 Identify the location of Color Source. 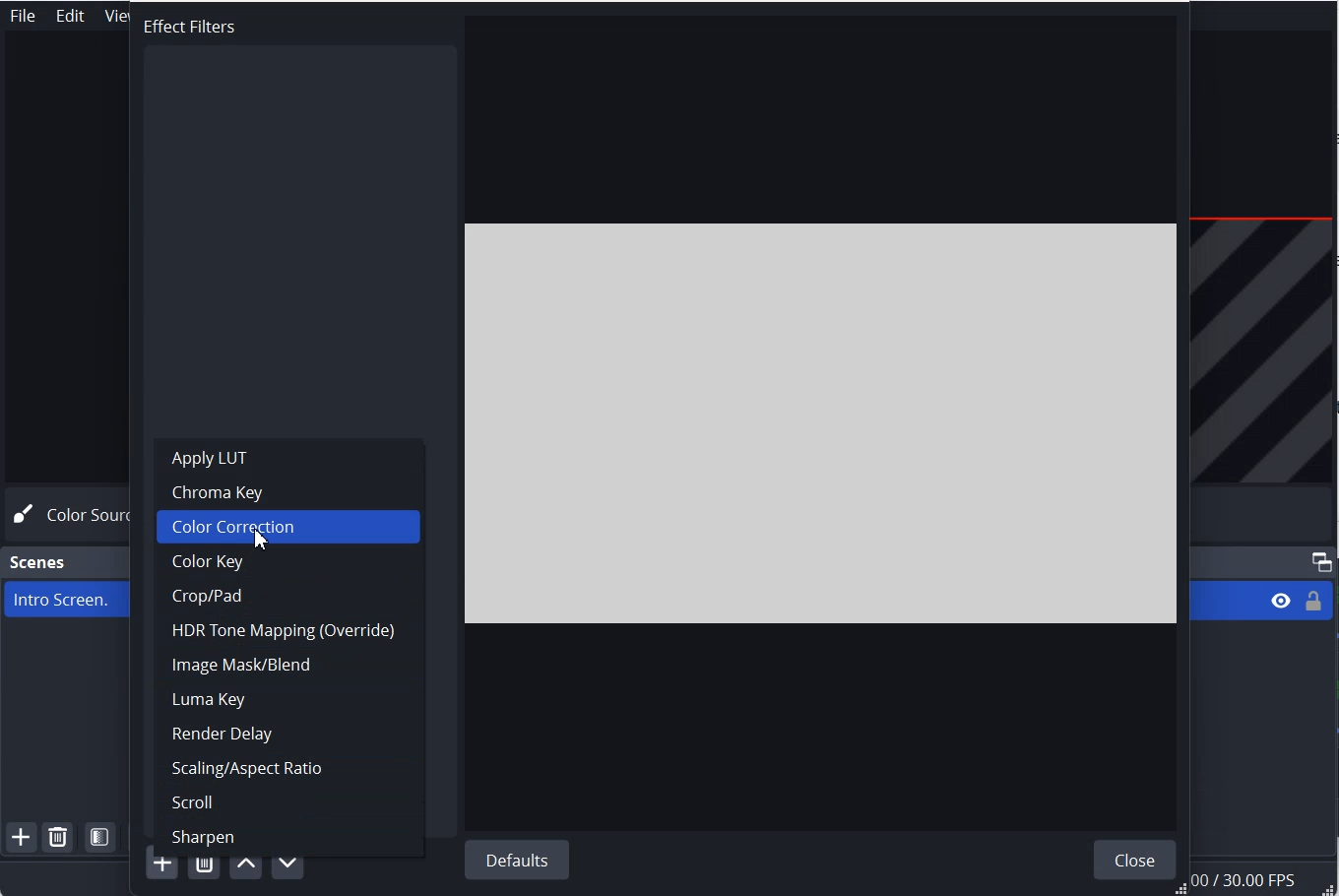
(68, 515).